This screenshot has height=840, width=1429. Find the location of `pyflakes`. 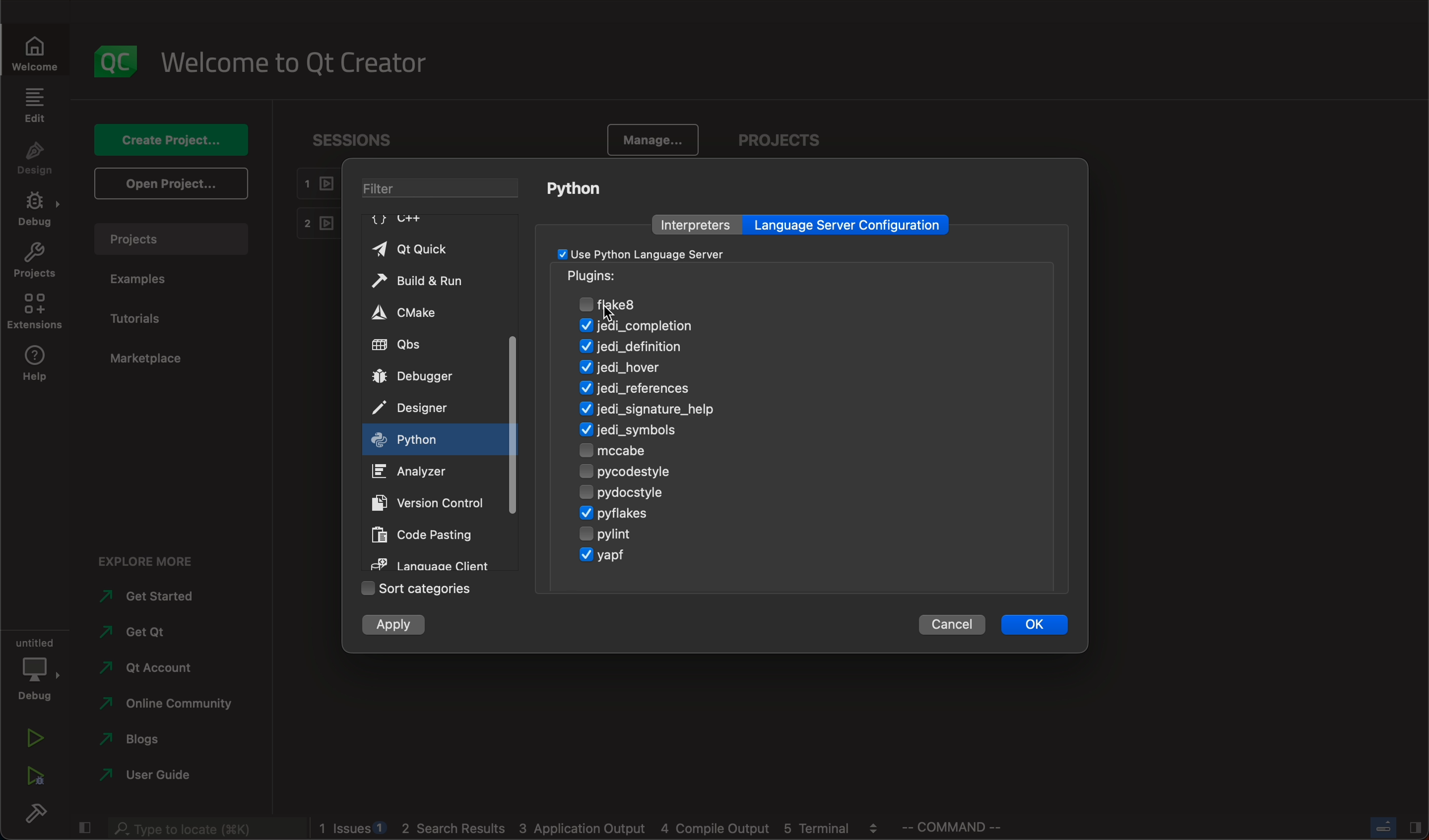

pyflakes is located at coordinates (625, 513).